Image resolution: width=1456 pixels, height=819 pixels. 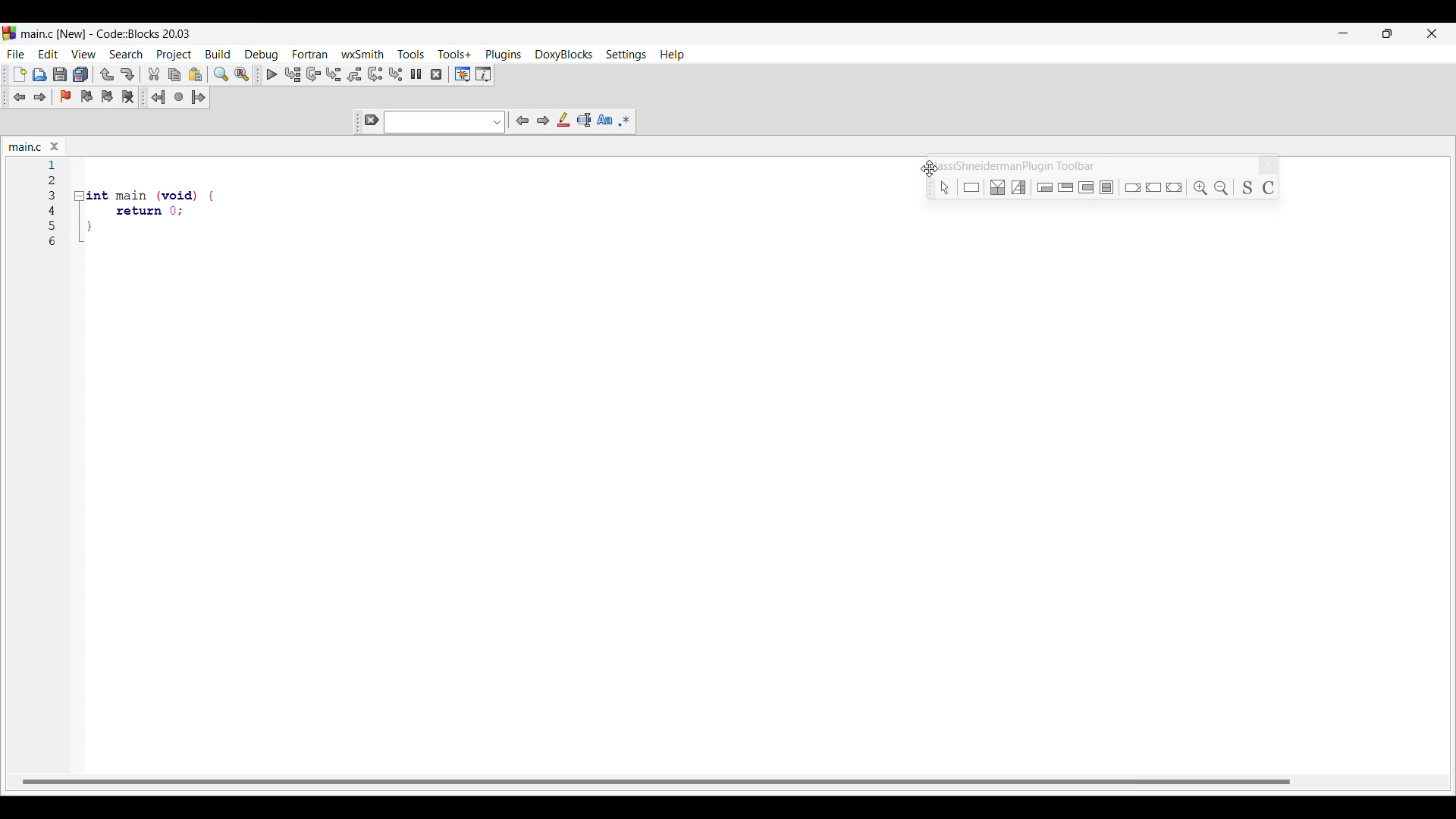 What do you see at coordinates (221, 74) in the screenshot?
I see `Find` at bounding box center [221, 74].